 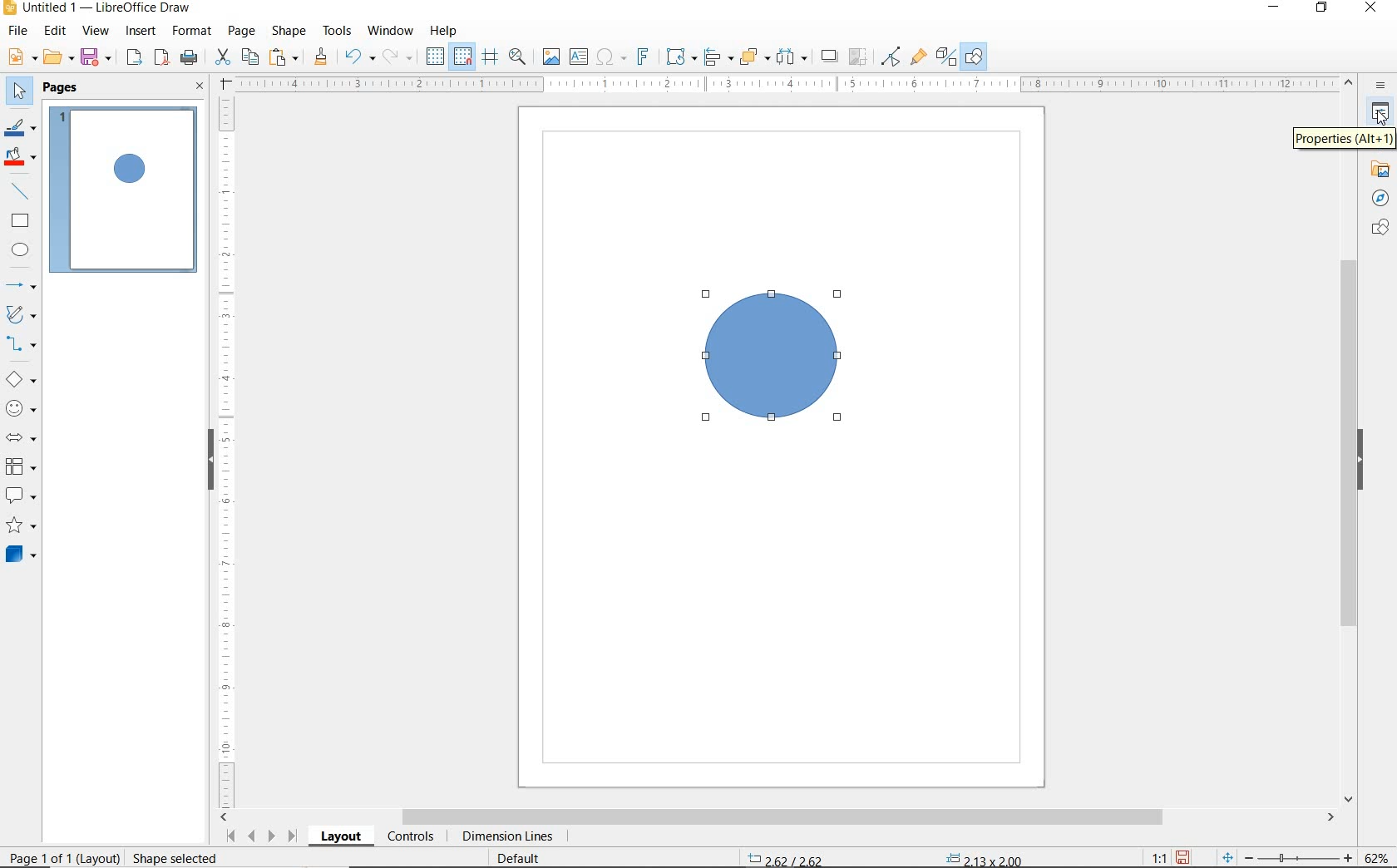 What do you see at coordinates (22, 407) in the screenshot?
I see `SYMBOL SHAPES` at bounding box center [22, 407].